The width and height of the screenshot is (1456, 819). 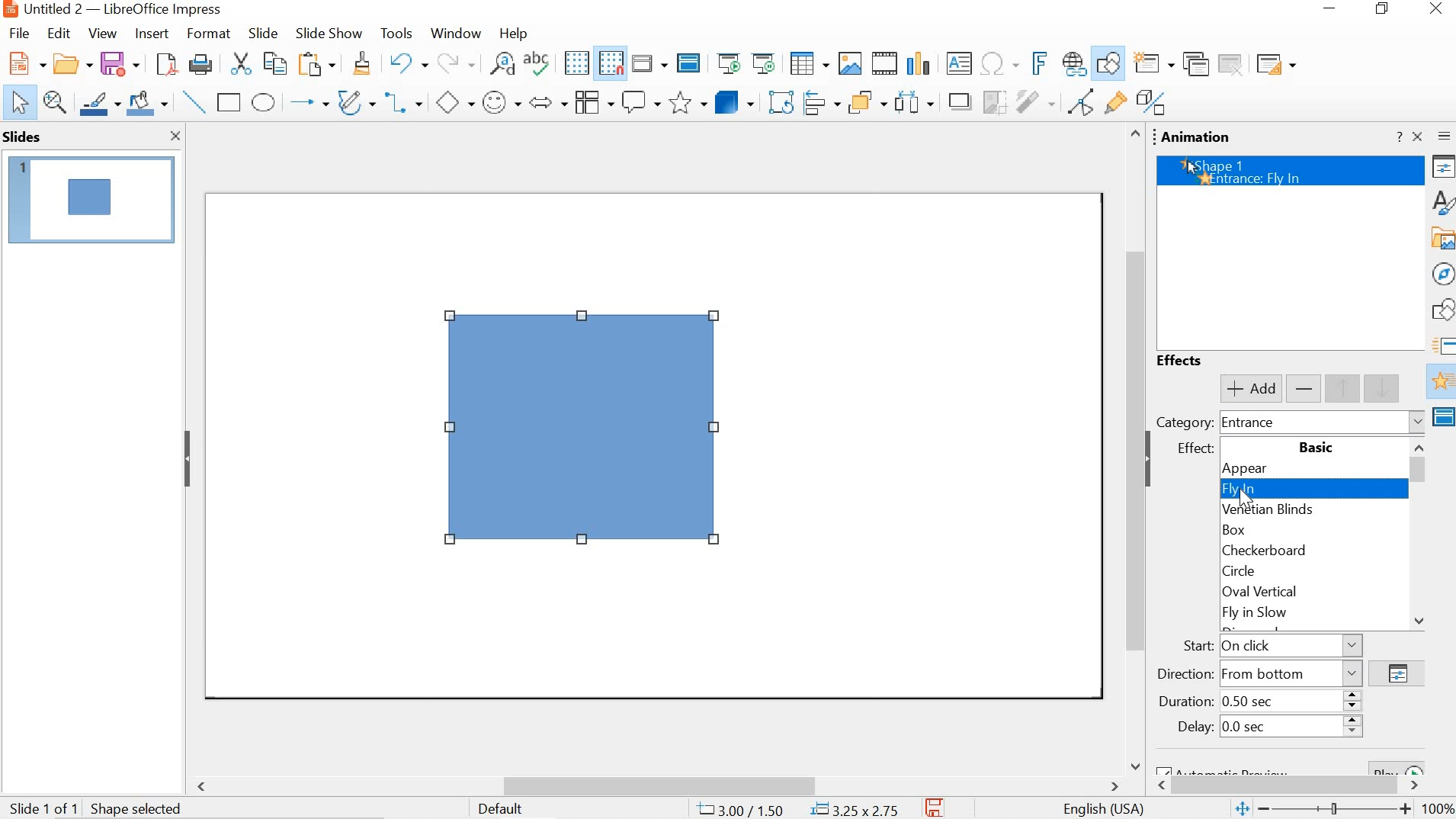 I want to click on toggle point edit mode, so click(x=1081, y=101).